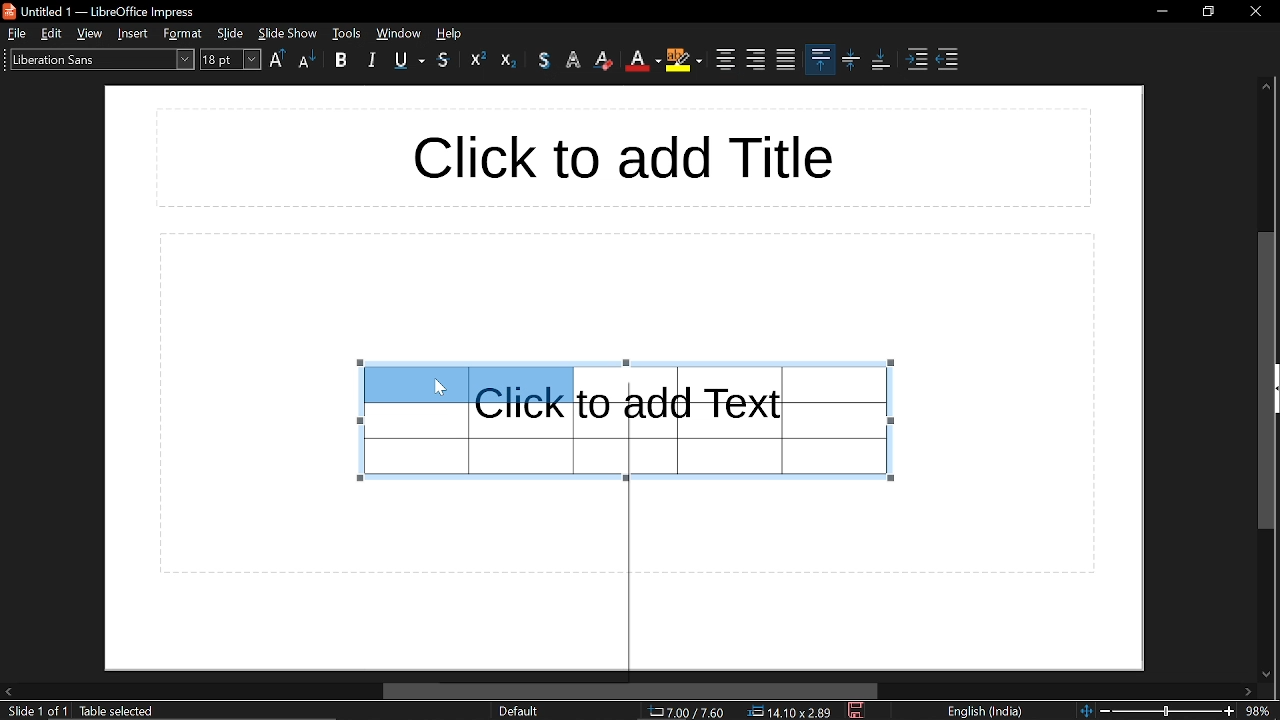 The width and height of the screenshot is (1280, 720). Describe the element at coordinates (1229, 711) in the screenshot. I see `zoom in` at that location.